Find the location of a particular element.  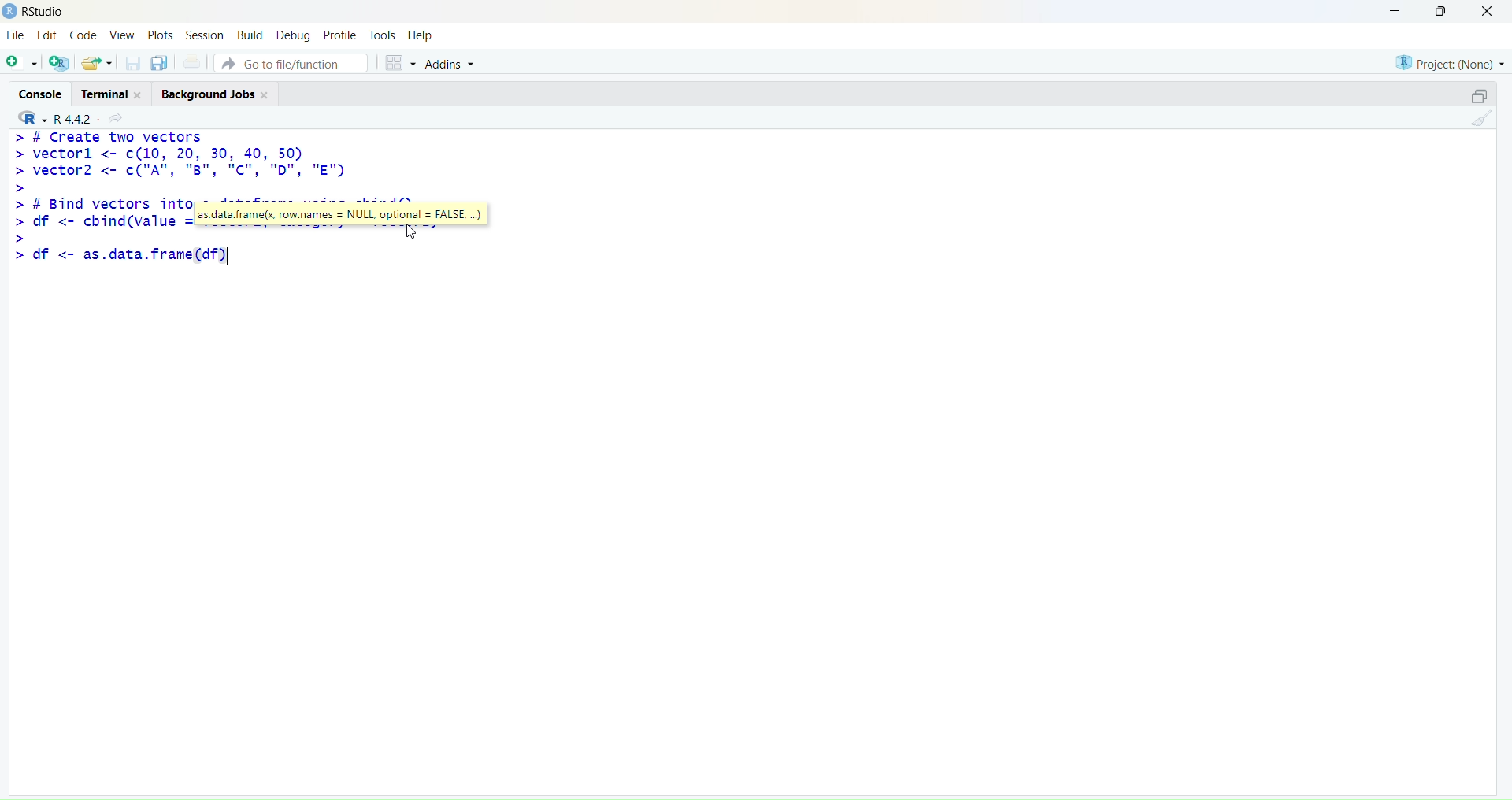

Profile is located at coordinates (339, 34).